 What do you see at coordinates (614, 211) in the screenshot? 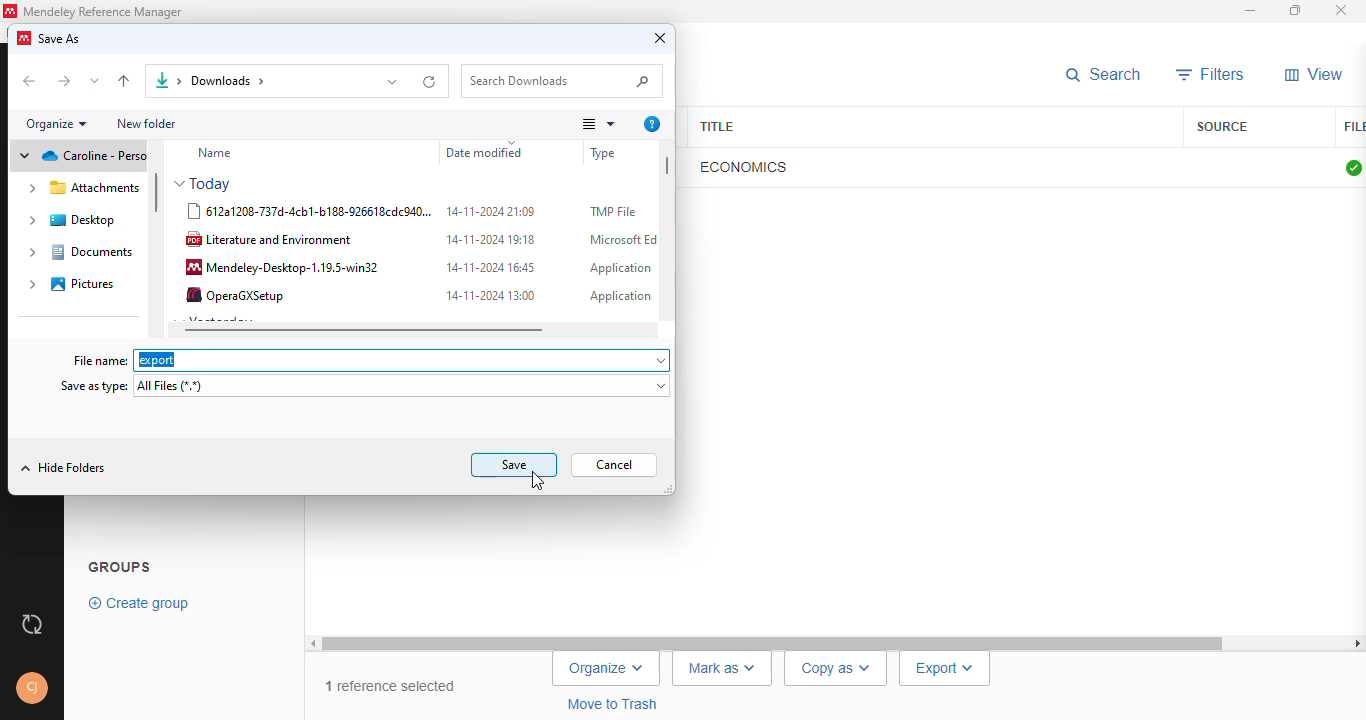
I see `TMP File` at bounding box center [614, 211].